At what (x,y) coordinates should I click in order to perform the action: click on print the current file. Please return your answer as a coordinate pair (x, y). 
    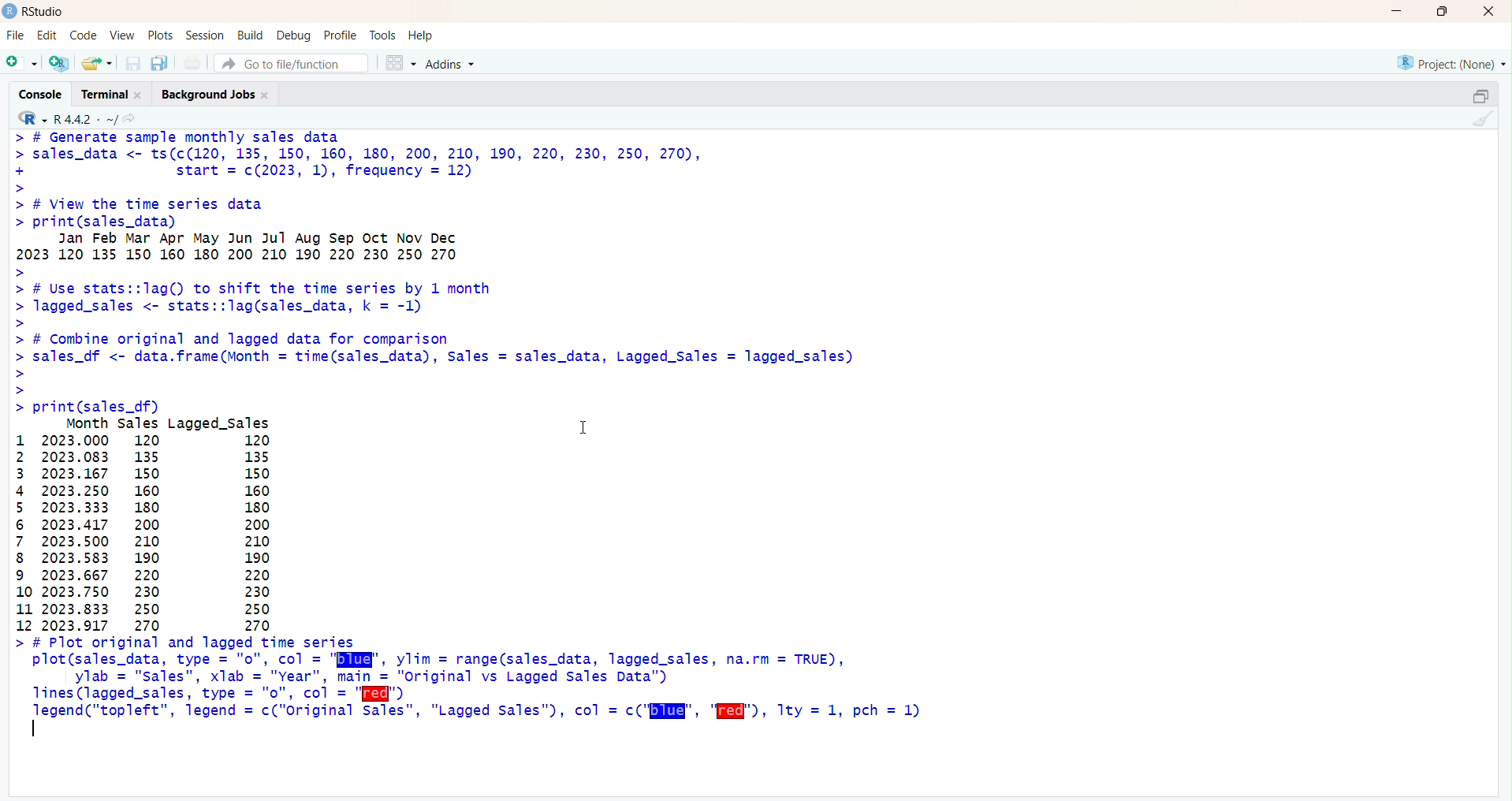
    Looking at the image, I should click on (192, 63).